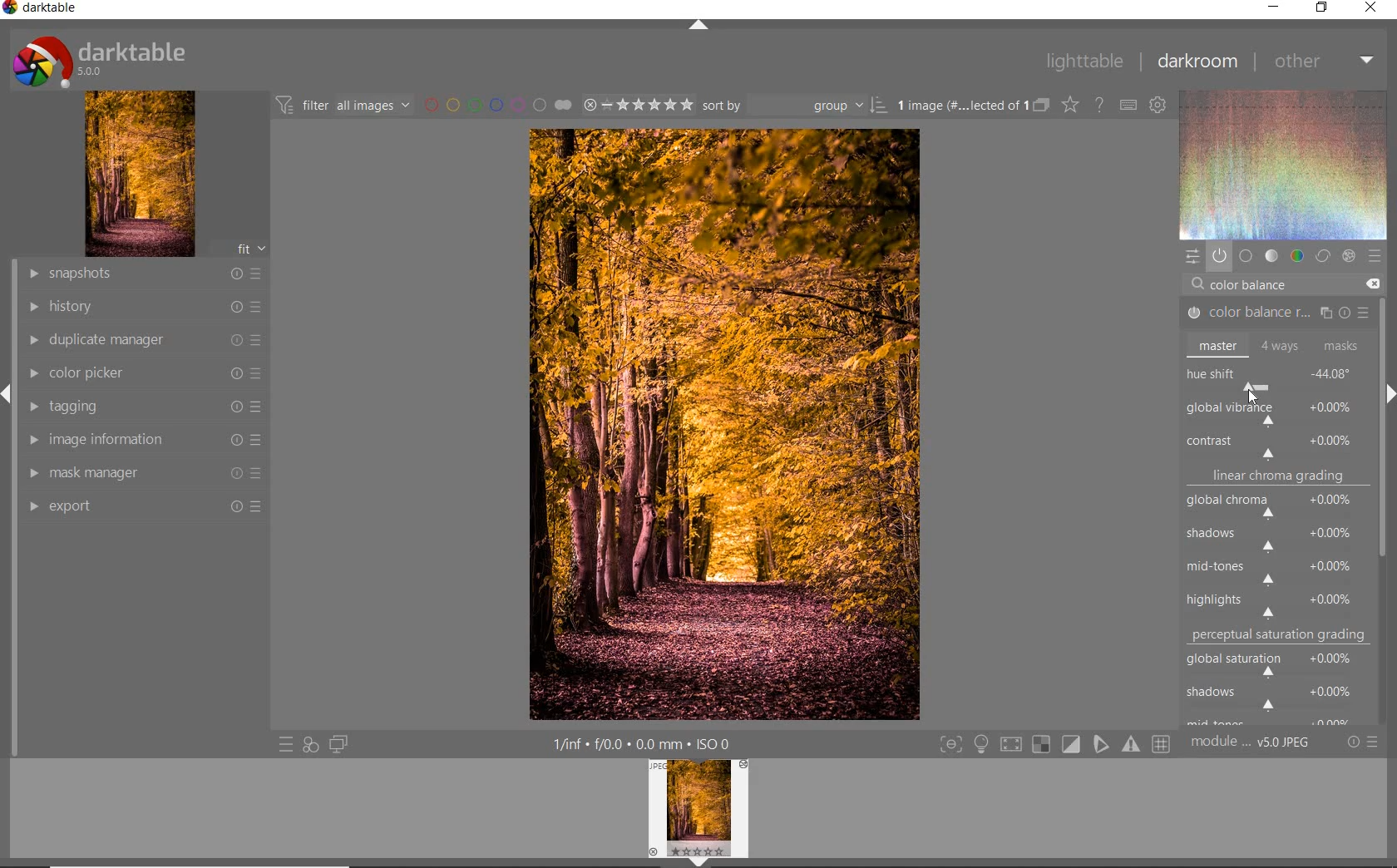 This screenshot has width=1397, height=868. What do you see at coordinates (1276, 696) in the screenshot?
I see `shadows` at bounding box center [1276, 696].